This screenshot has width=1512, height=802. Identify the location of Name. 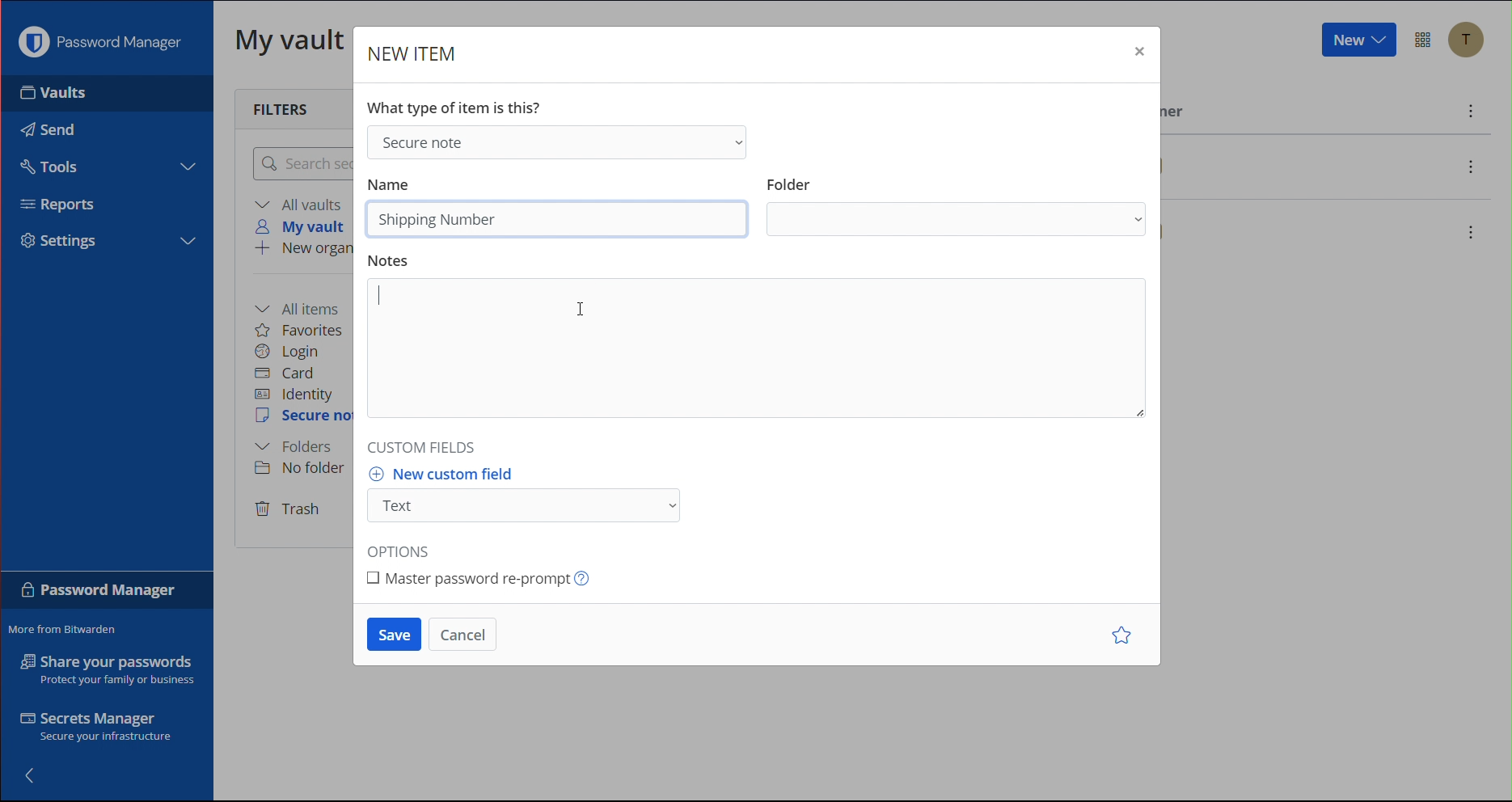
(395, 184).